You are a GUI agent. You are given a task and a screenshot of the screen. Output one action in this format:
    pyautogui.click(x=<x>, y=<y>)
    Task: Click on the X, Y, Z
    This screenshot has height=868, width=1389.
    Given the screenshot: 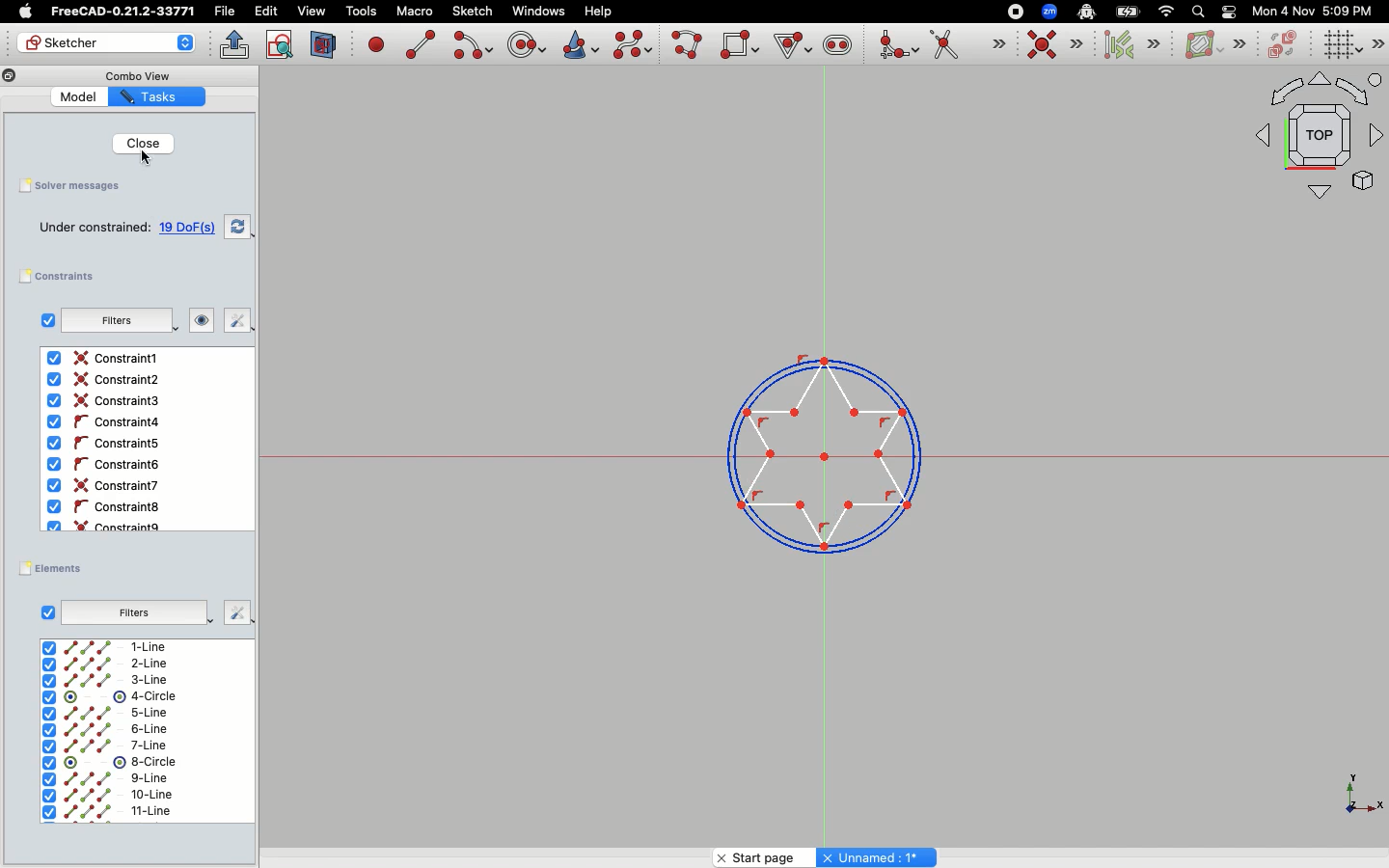 What is the action you would take?
    pyautogui.click(x=1351, y=800)
    